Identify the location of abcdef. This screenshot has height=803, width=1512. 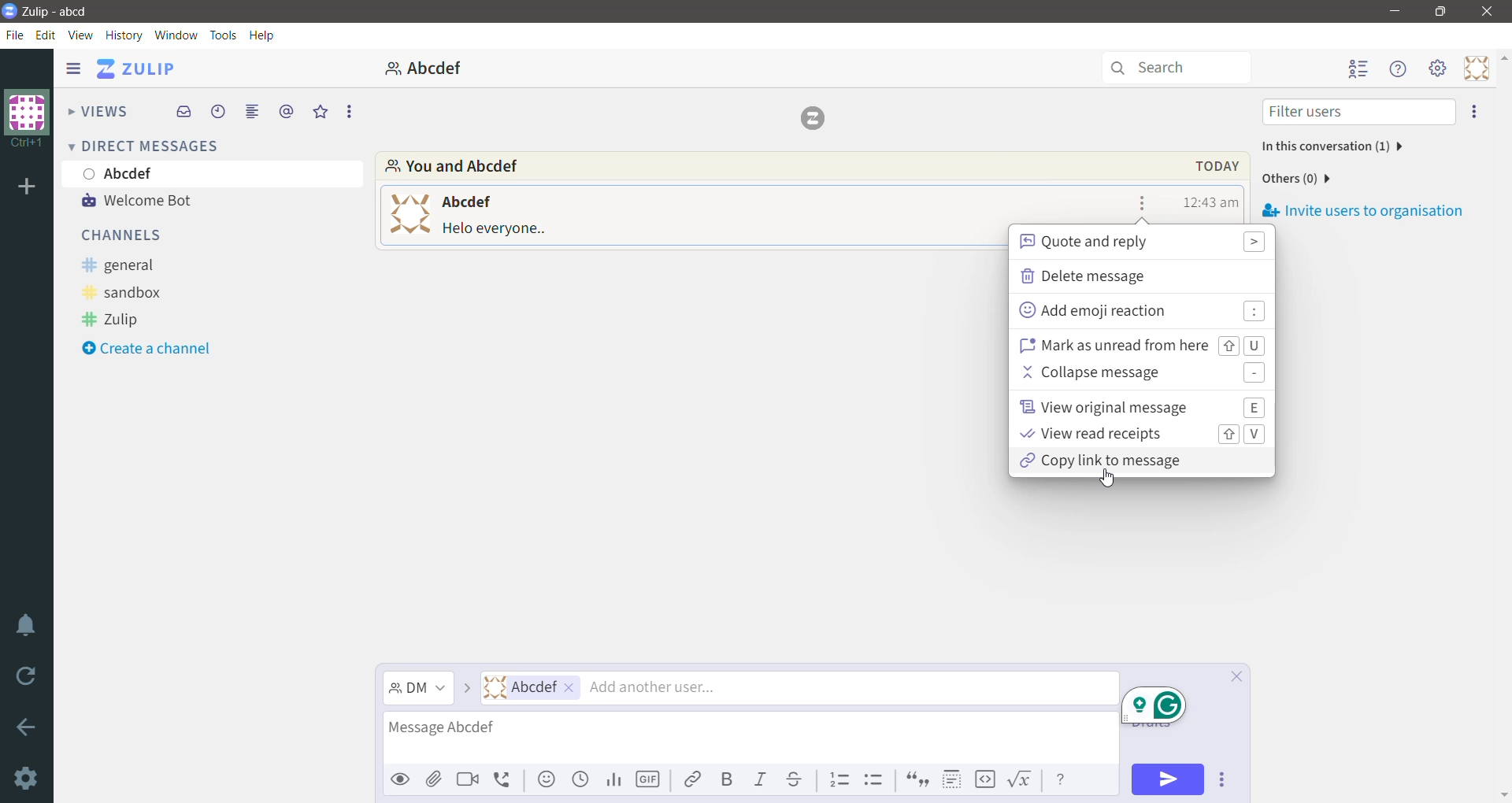
(427, 67).